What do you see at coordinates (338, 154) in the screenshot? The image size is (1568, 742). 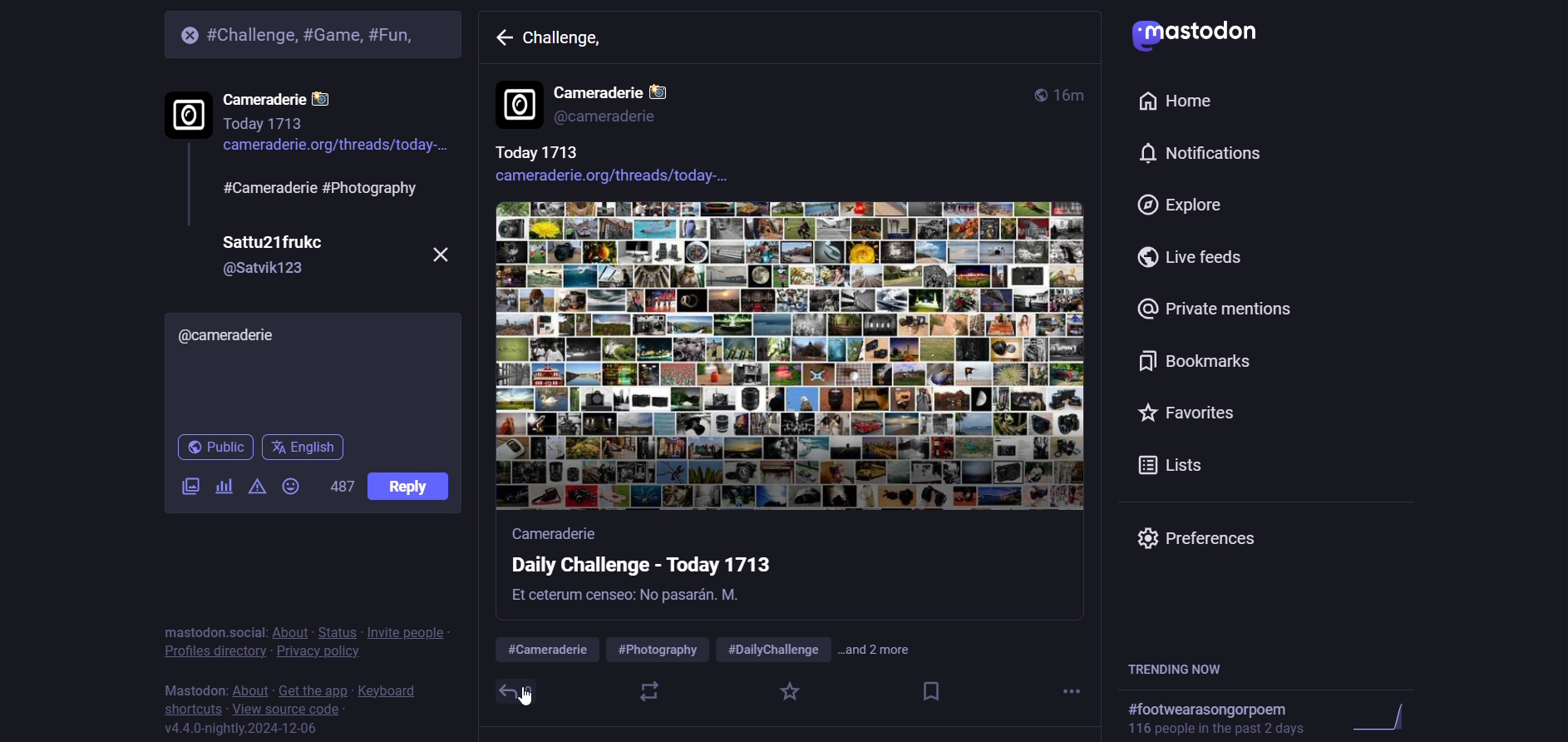 I see `EE ECE A
cameraderie.org/threads/today-...` at bounding box center [338, 154].